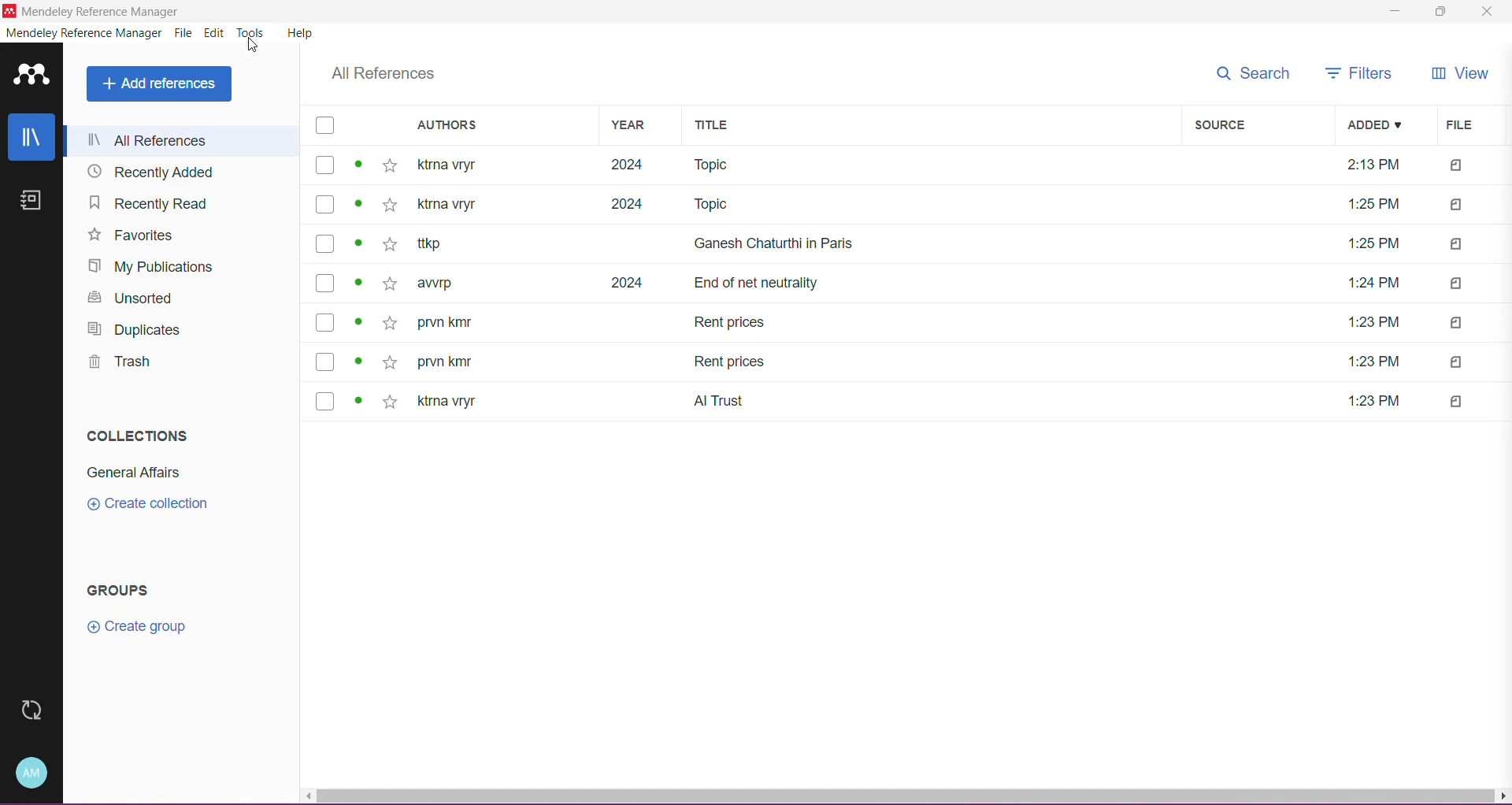 The height and width of the screenshot is (805, 1512). I want to click on file, so click(1374, 401).